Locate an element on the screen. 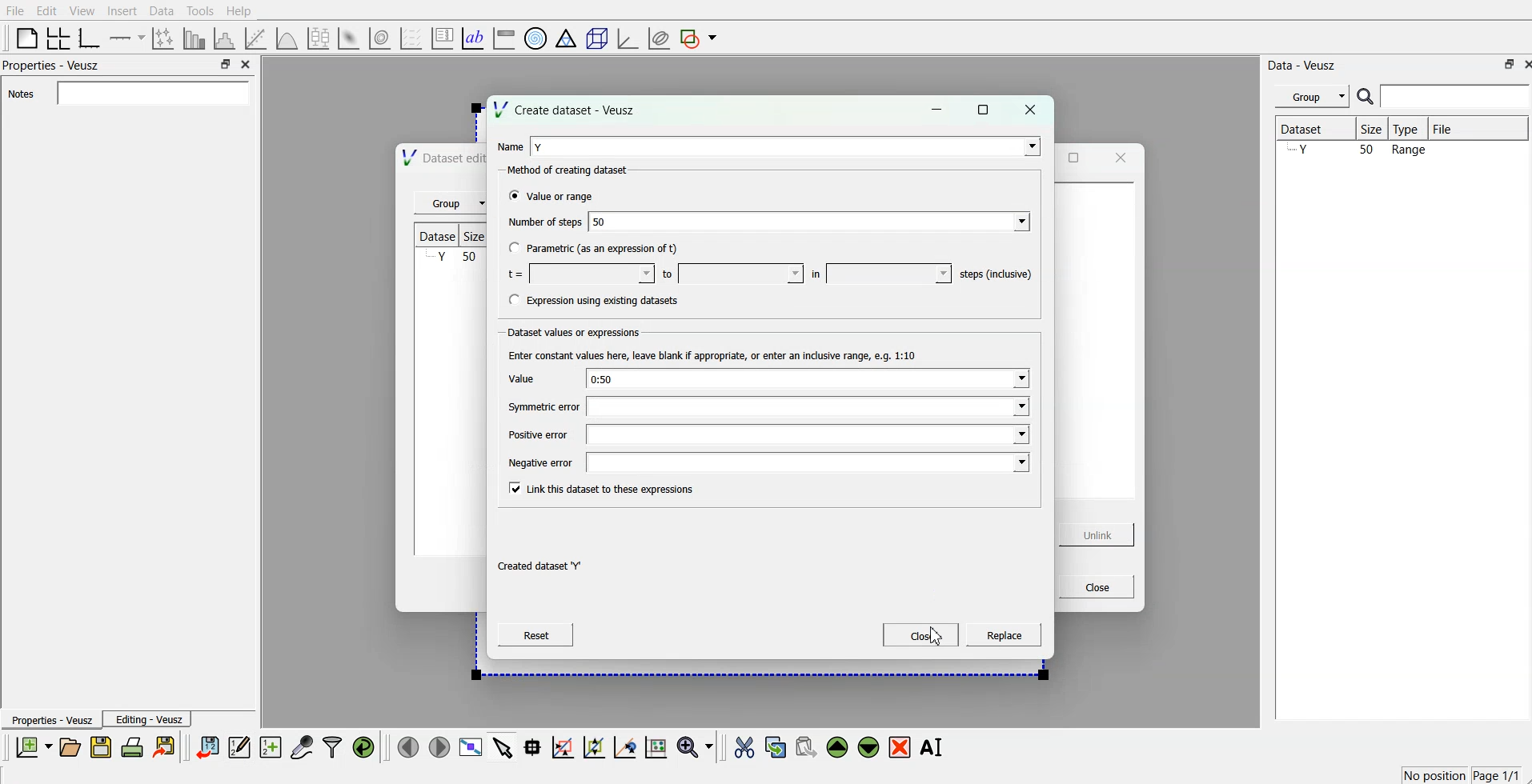 This screenshot has width=1532, height=784. Expression using existing datasets is located at coordinates (612, 300).